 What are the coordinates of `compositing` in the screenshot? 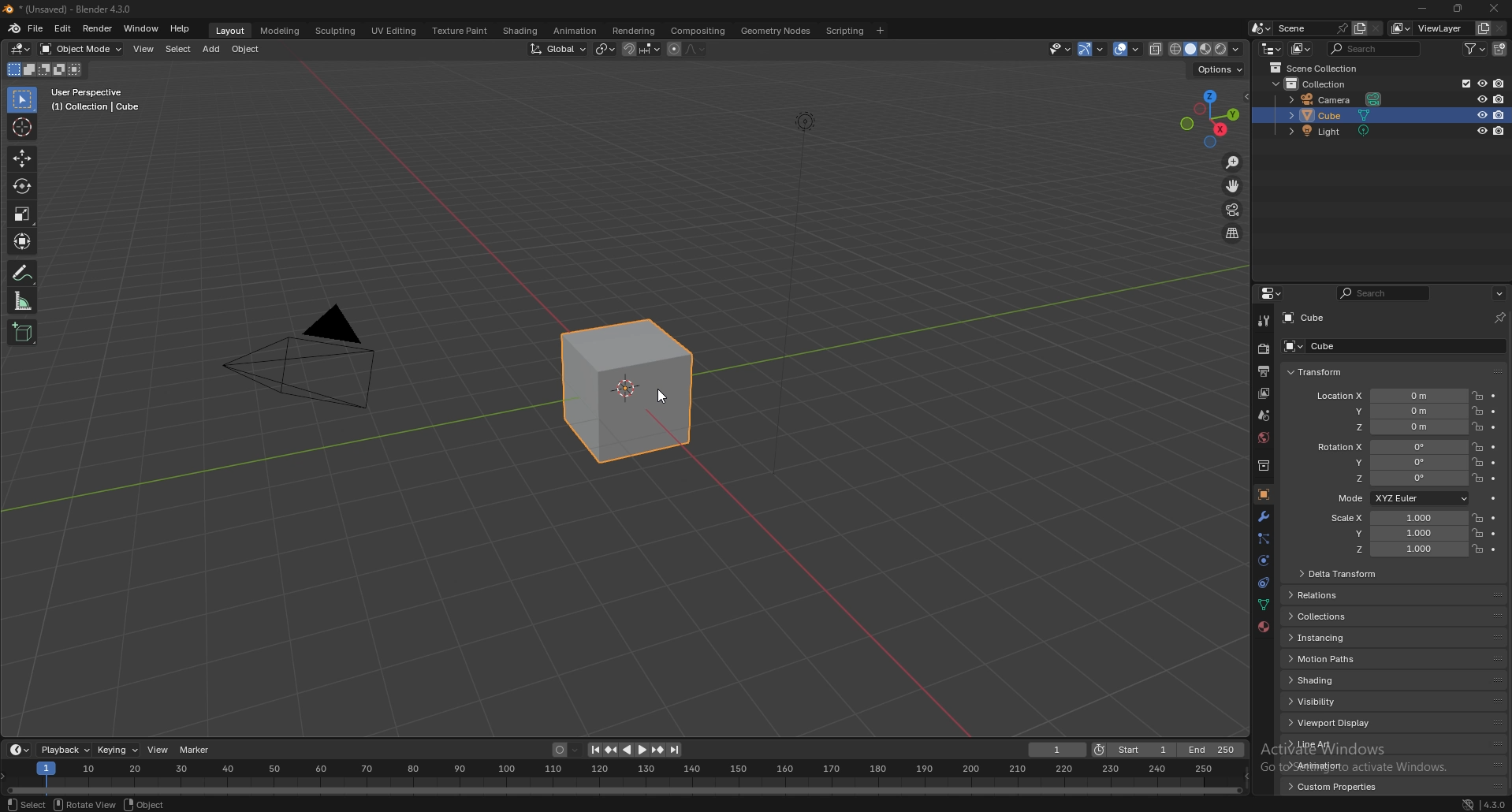 It's located at (700, 30).